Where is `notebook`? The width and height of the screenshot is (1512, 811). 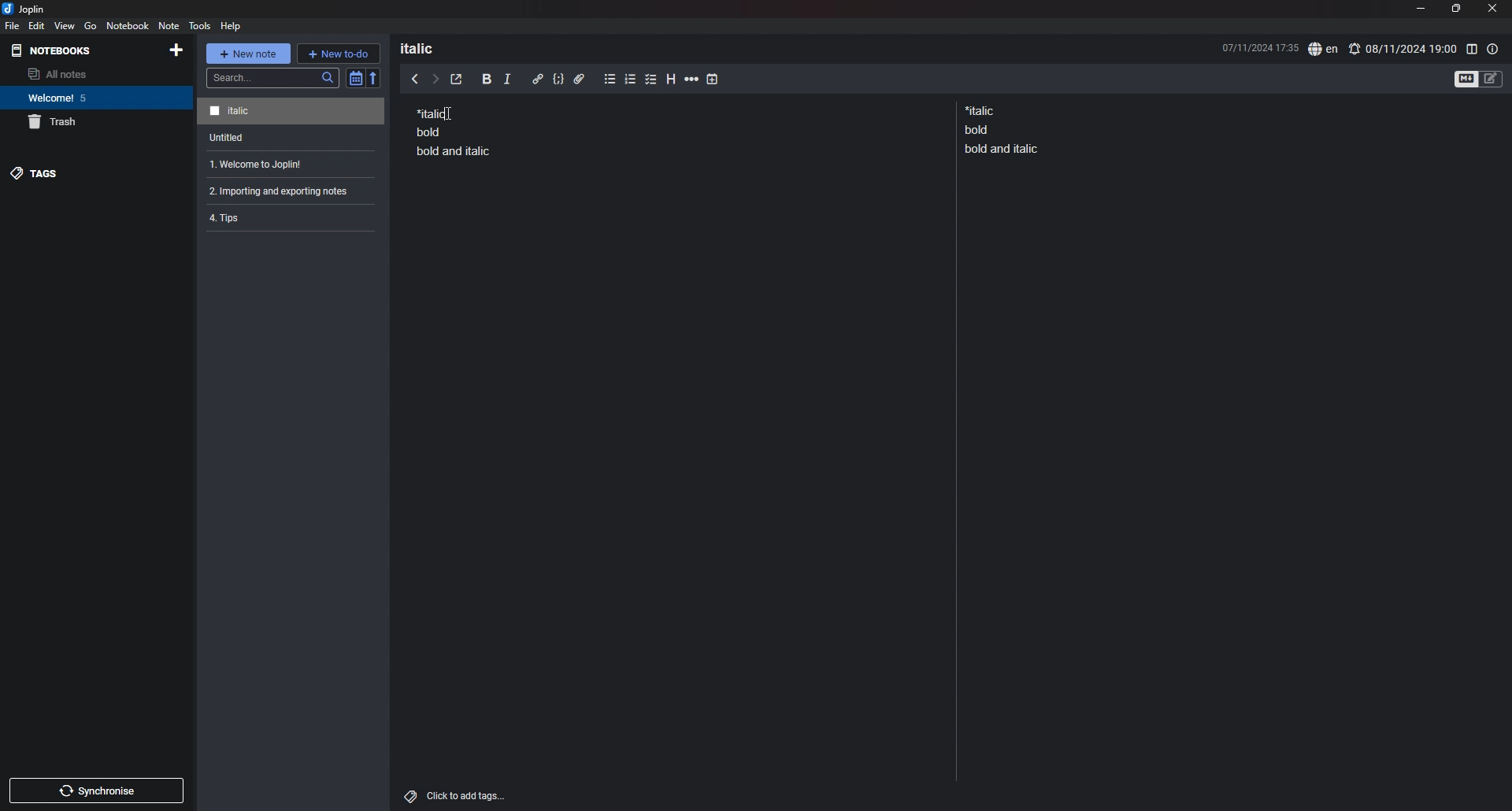
notebook is located at coordinates (128, 25).